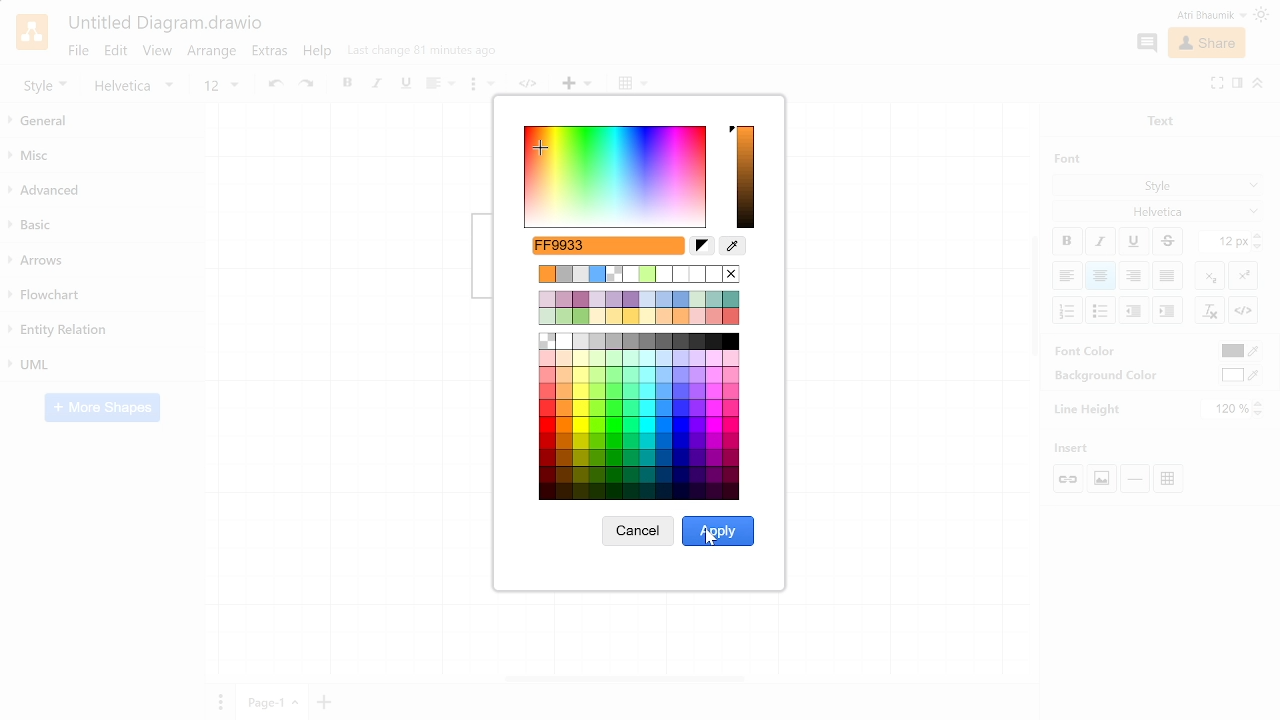  Describe the element at coordinates (1102, 310) in the screenshot. I see `Bullet` at that location.